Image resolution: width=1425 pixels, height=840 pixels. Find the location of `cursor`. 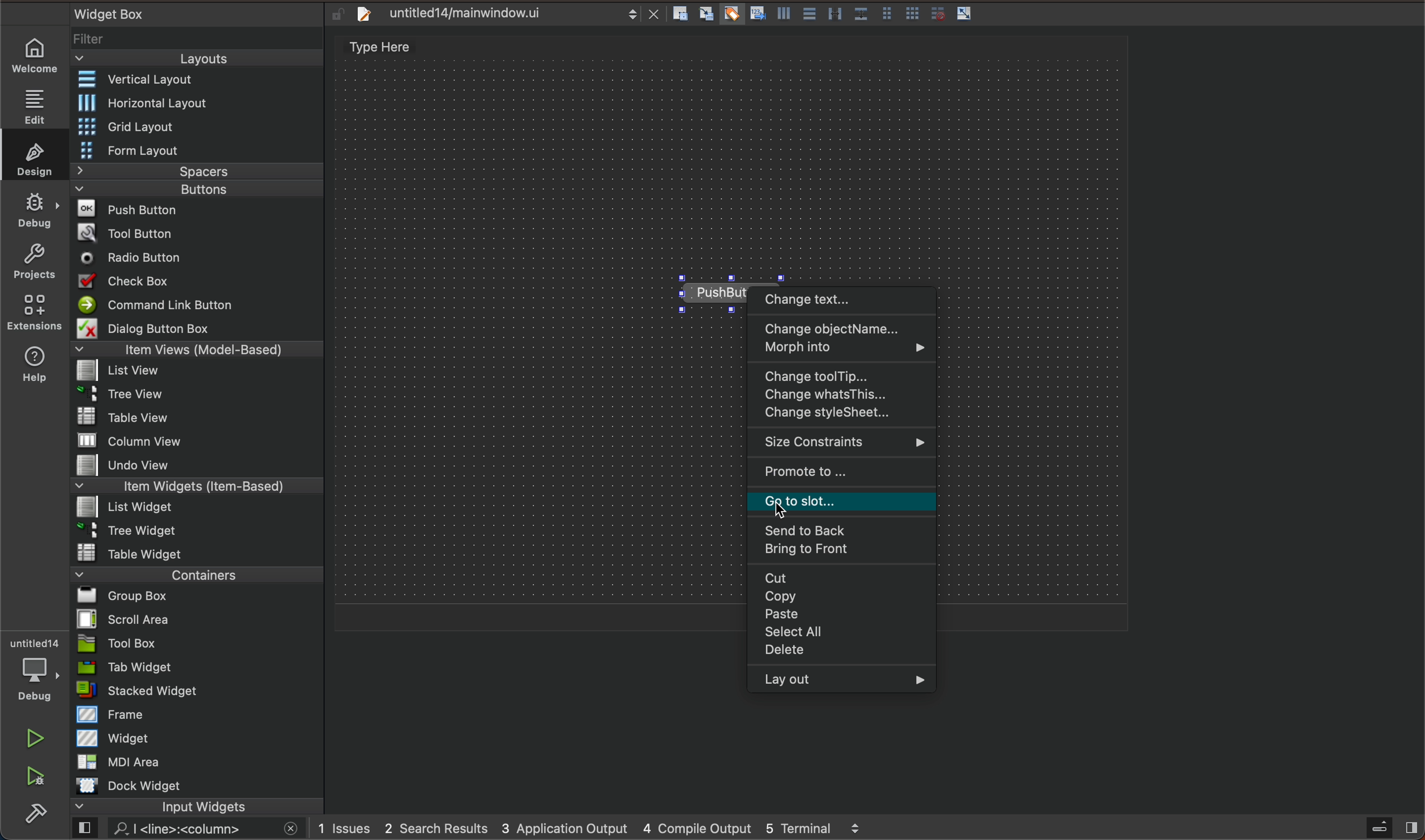

cursor is located at coordinates (692, 294).